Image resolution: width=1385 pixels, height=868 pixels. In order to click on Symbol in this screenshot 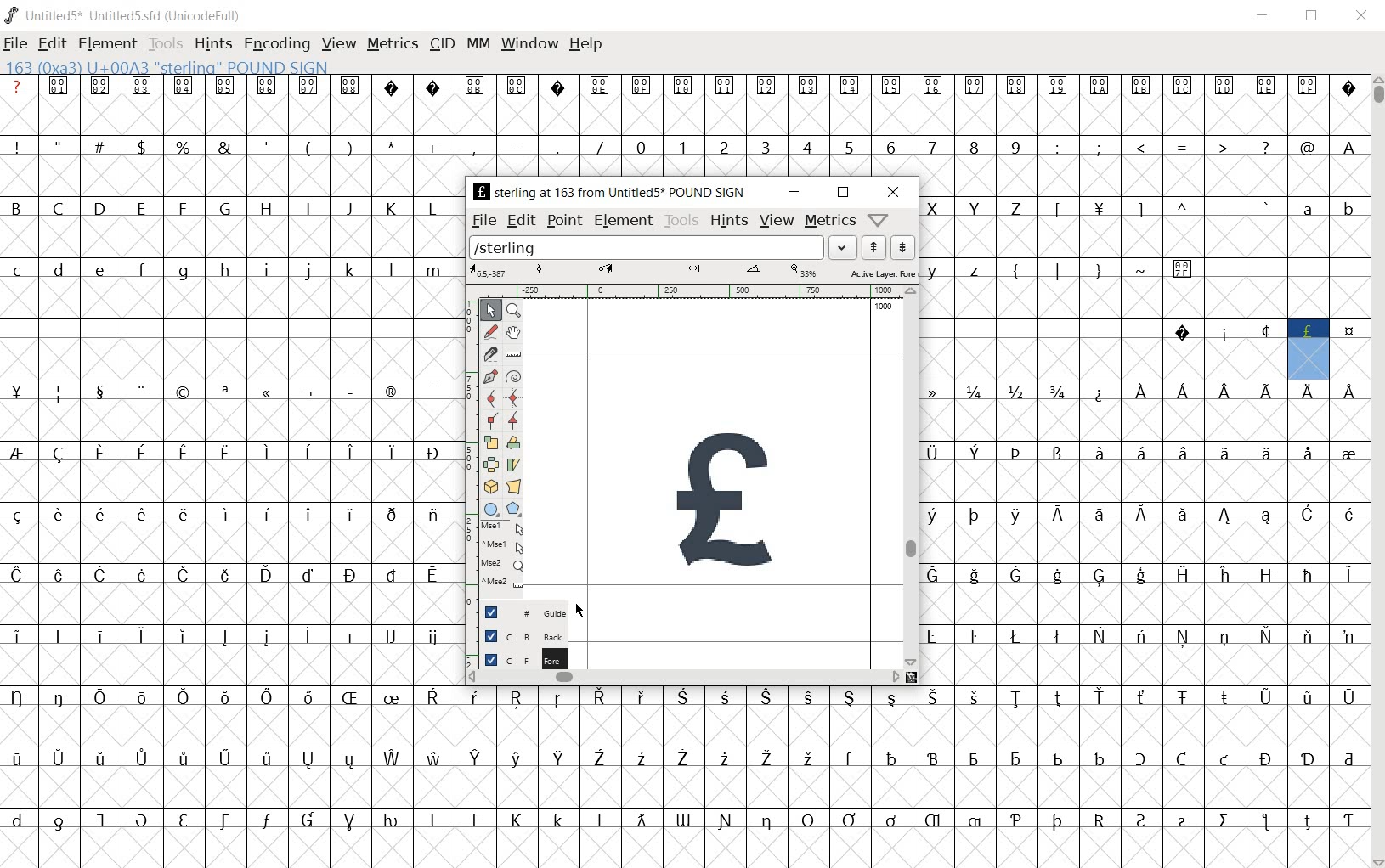, I will do `click(349, 634)`.